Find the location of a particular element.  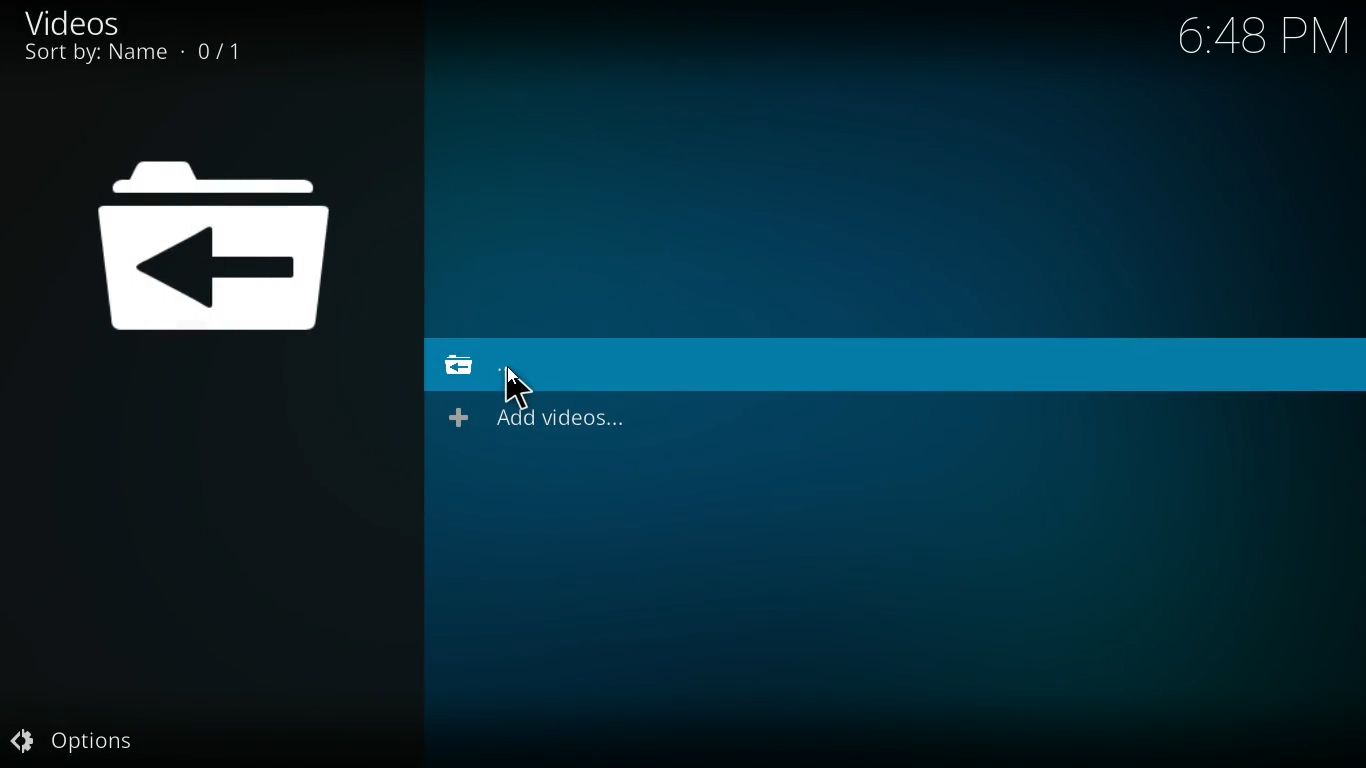

videos is located at coordinates (85, 22).